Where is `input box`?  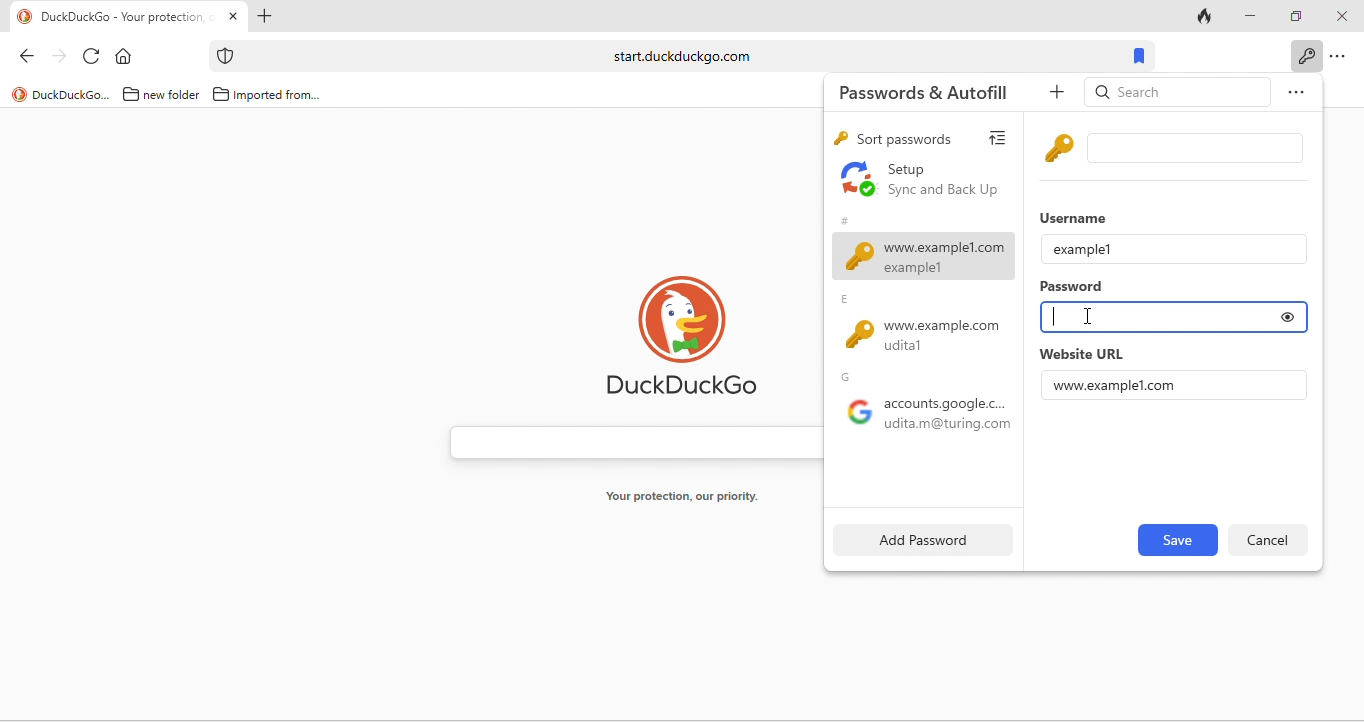 input box is located at coordinates (1199, 148).